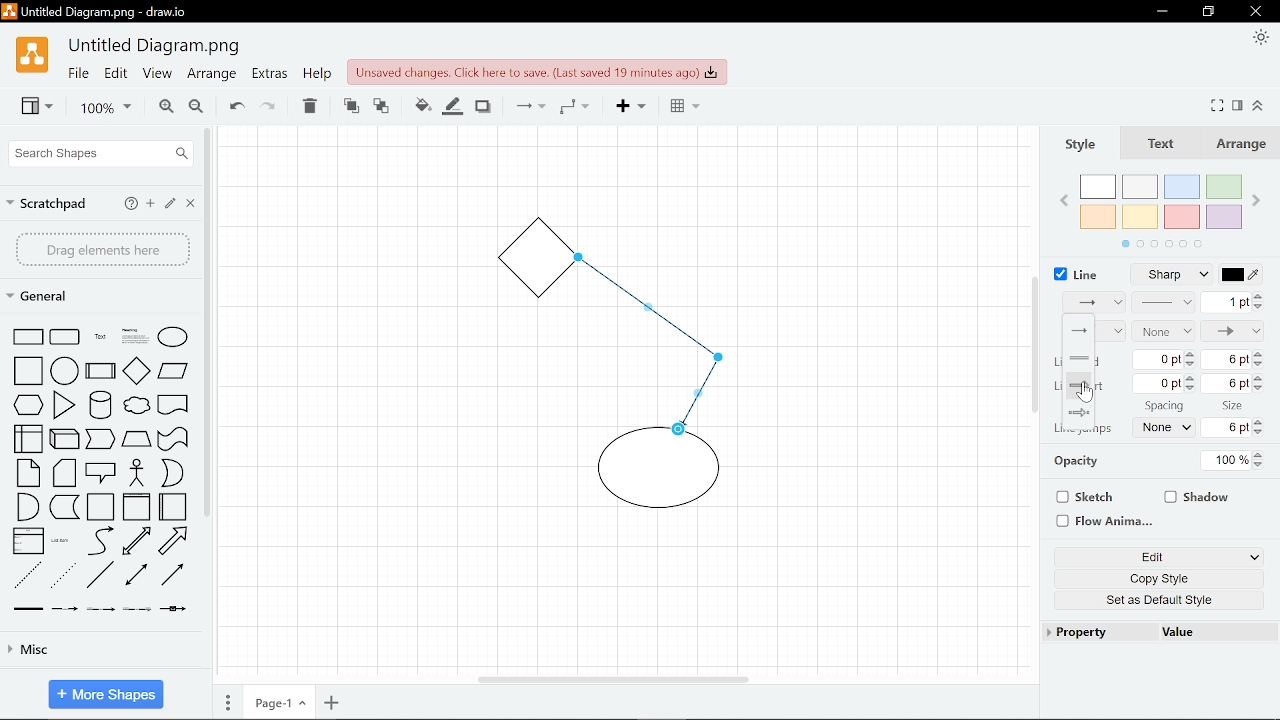  Describe the element at coordinates (1191, 352) in the screenshot. I see `Increase line end` at that location.